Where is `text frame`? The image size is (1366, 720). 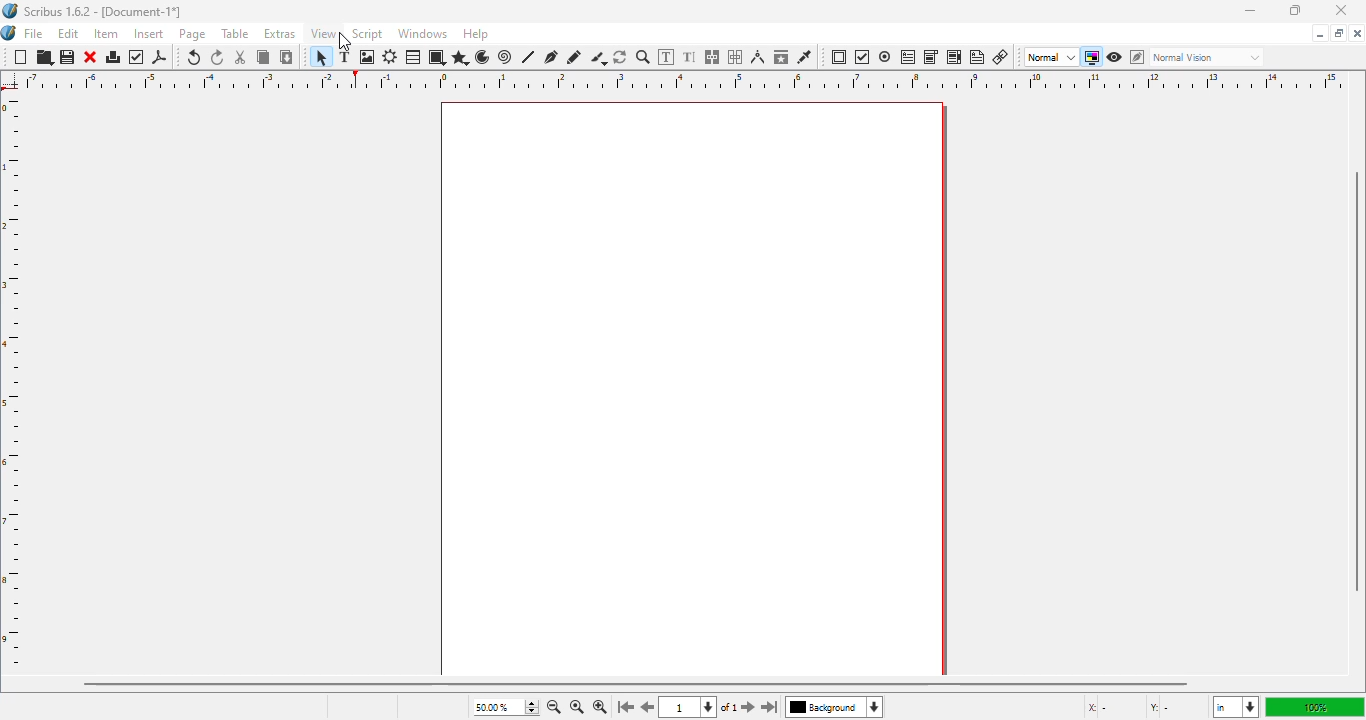
text frame is located at coordinates (344, 57).